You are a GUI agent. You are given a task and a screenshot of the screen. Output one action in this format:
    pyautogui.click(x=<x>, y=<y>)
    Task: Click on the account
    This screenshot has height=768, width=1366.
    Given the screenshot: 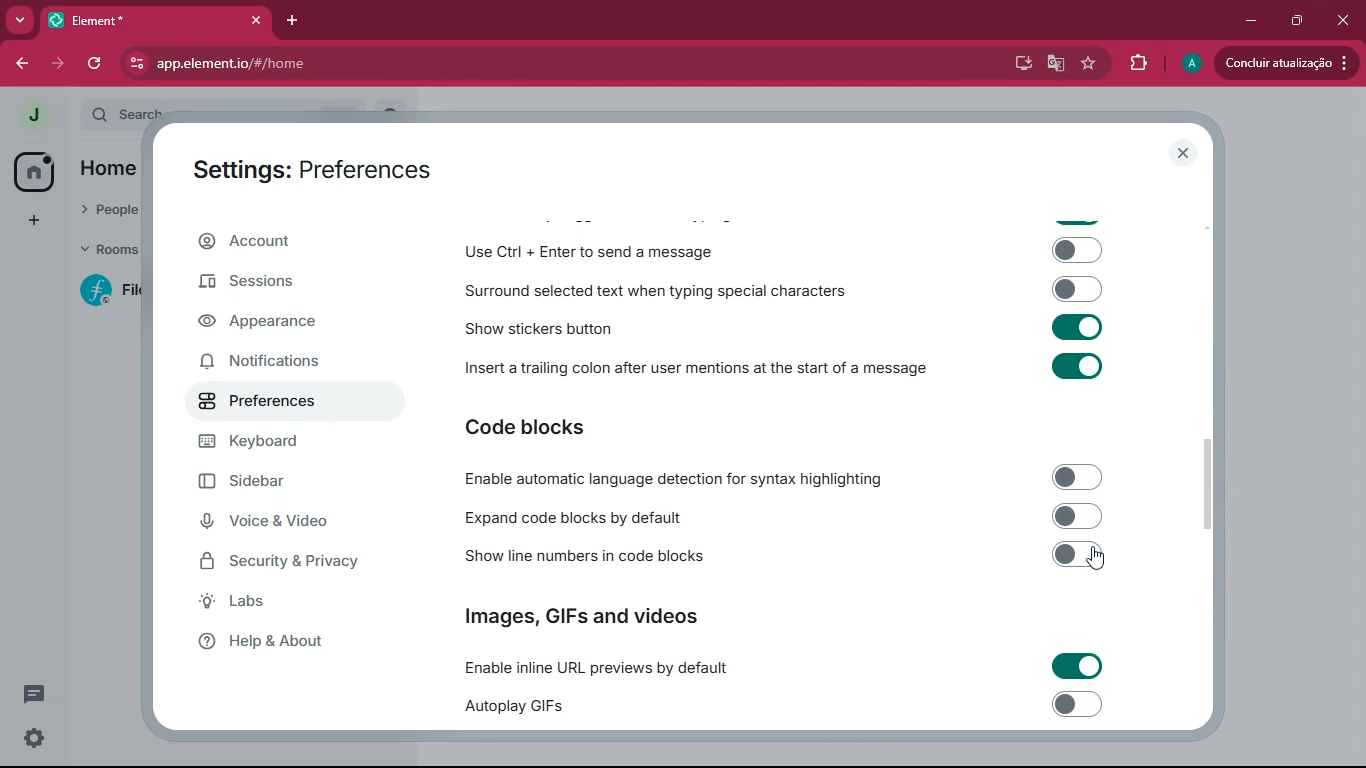 What is the action you would take?
    pyautogui.click(x=293, y=241)
    